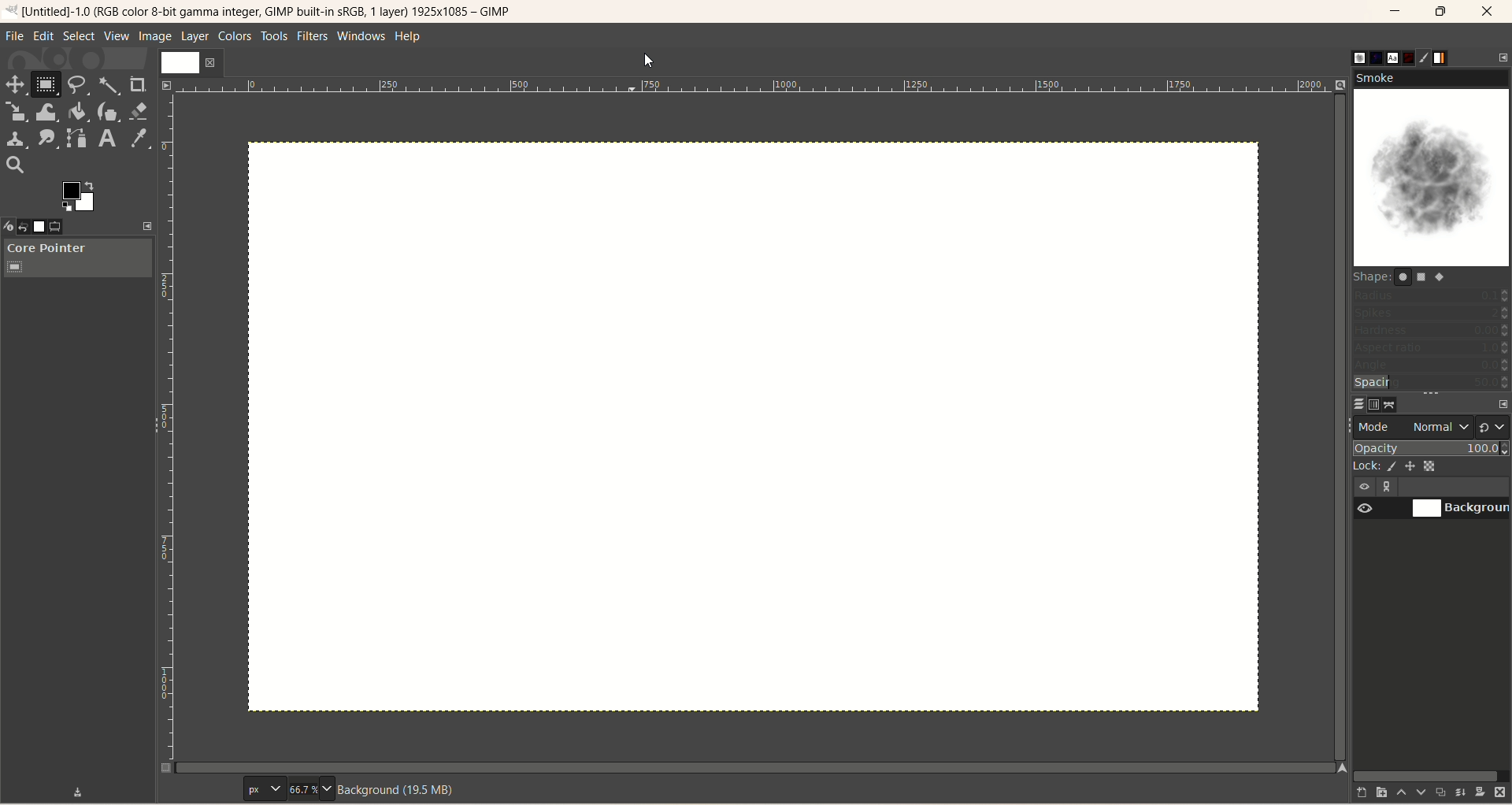 Image resolution: width=1512 pixels, height=805 pixels. I want to click on create a new layer group and add it to image, so click(1373, 793).